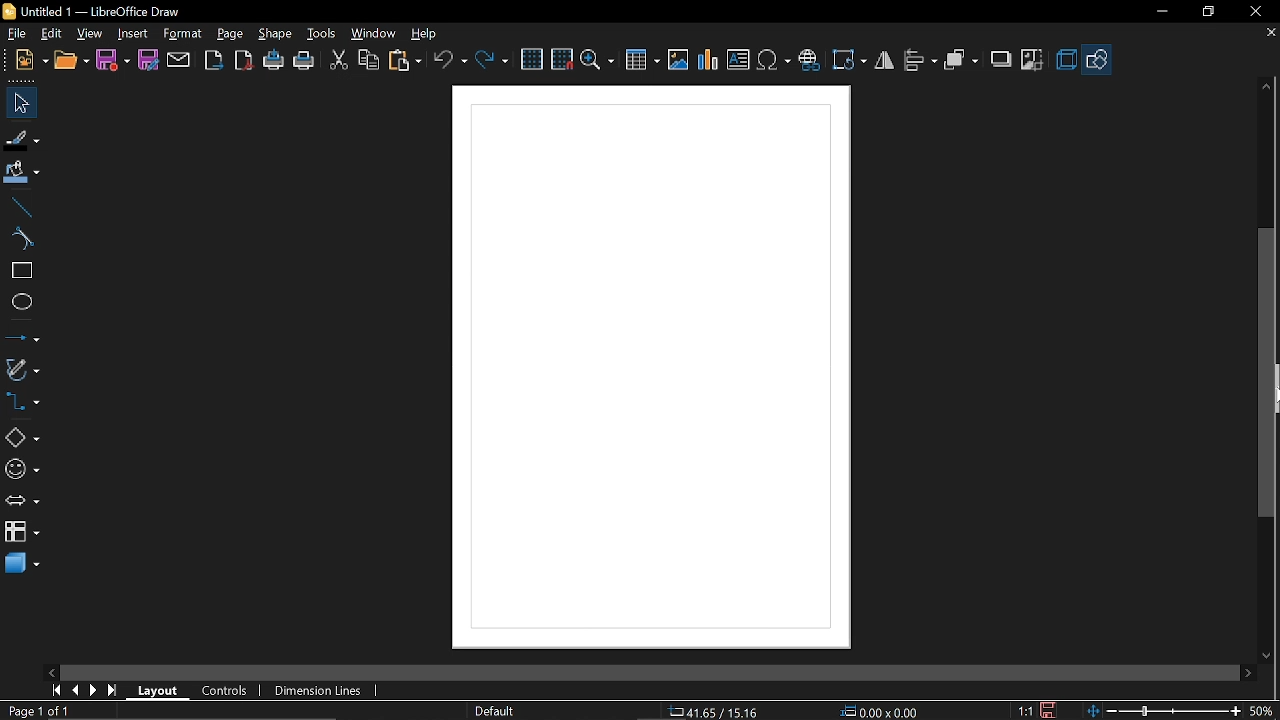 The height and width of the screenshot is (720, 1280). I want to click on close, so click(1252, 11).